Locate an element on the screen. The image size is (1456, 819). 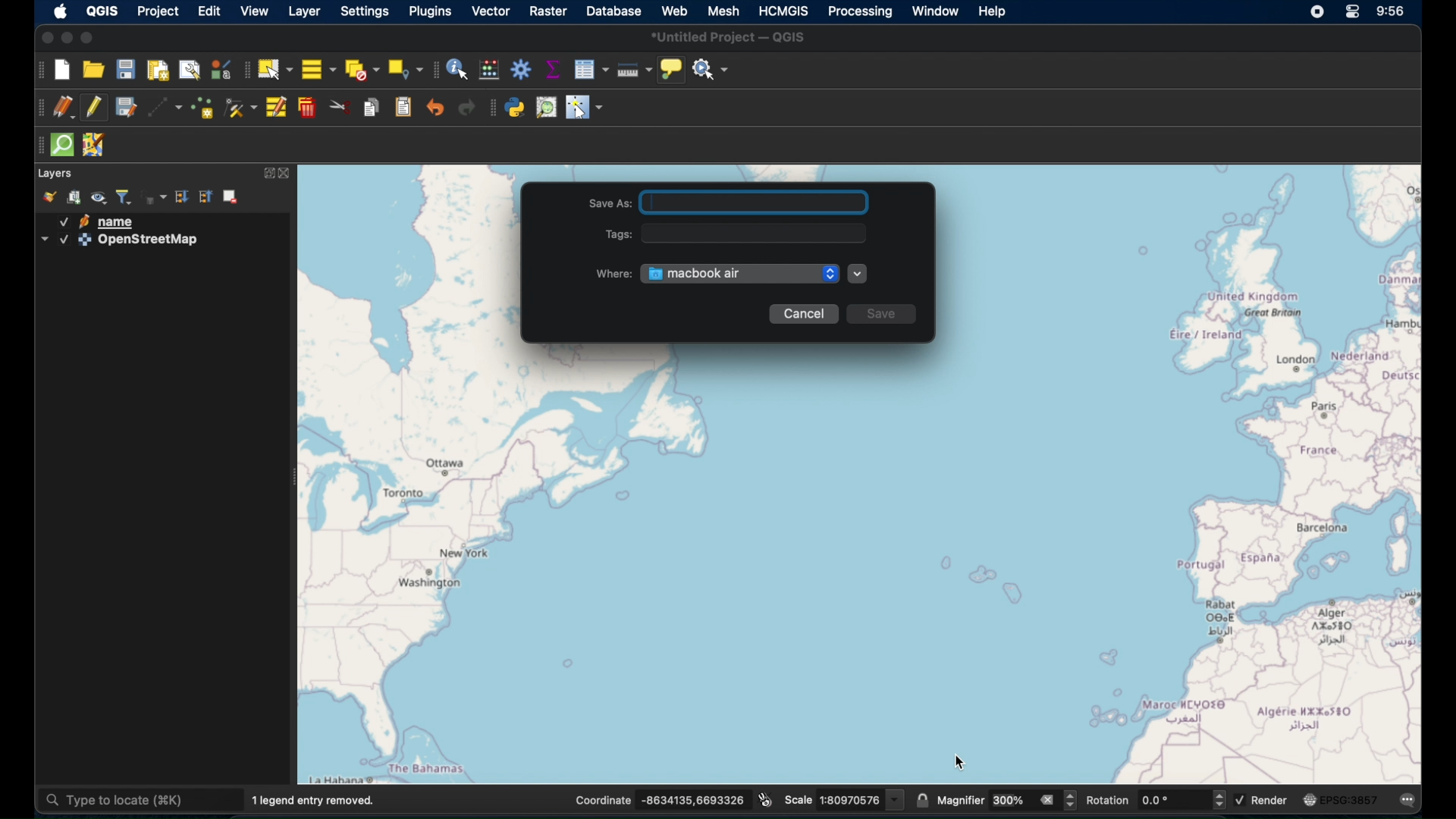
vertex tool is located at coordinates (241, 109).